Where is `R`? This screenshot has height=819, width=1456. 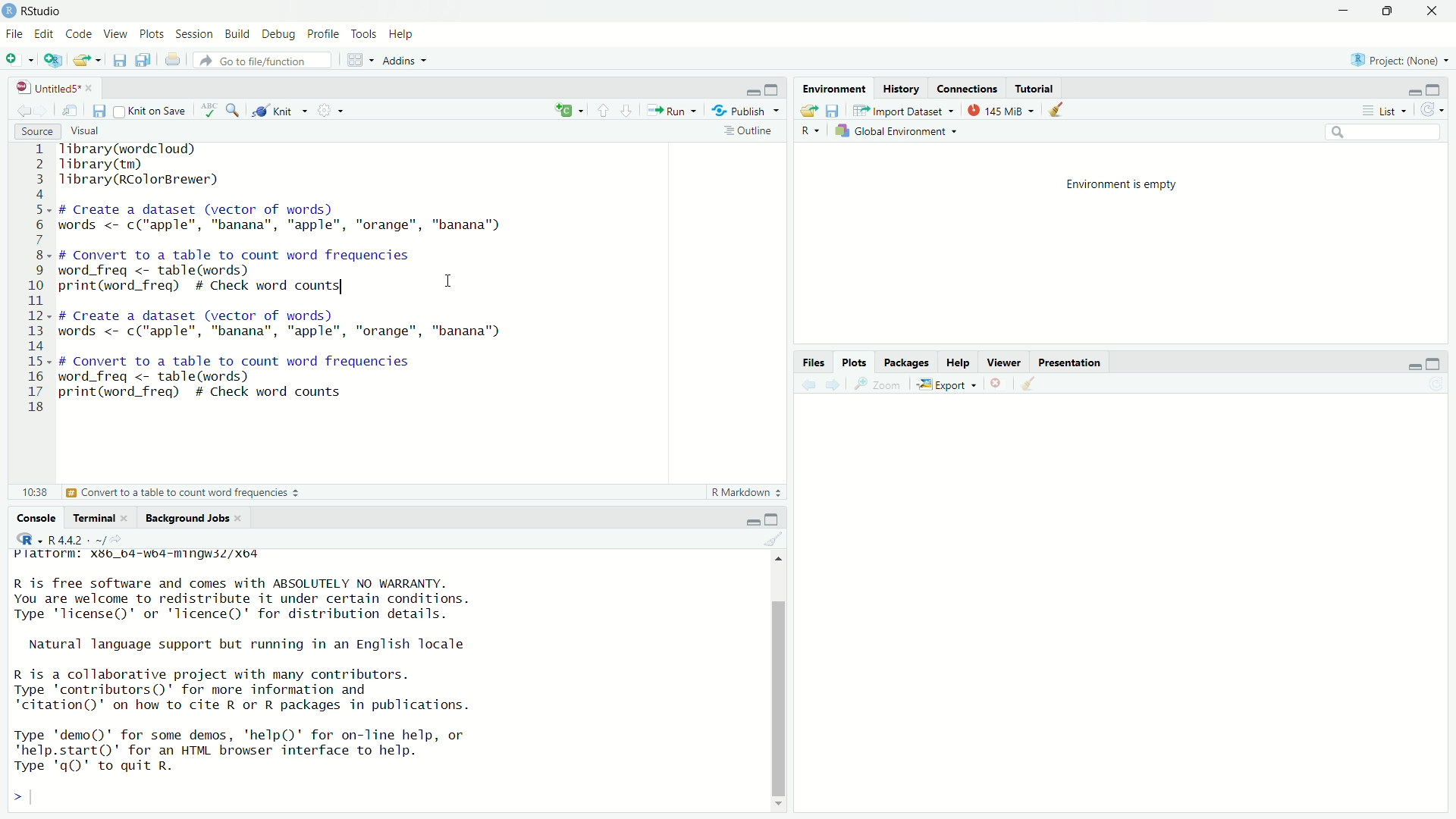 R is located at coordinates (811, 133).